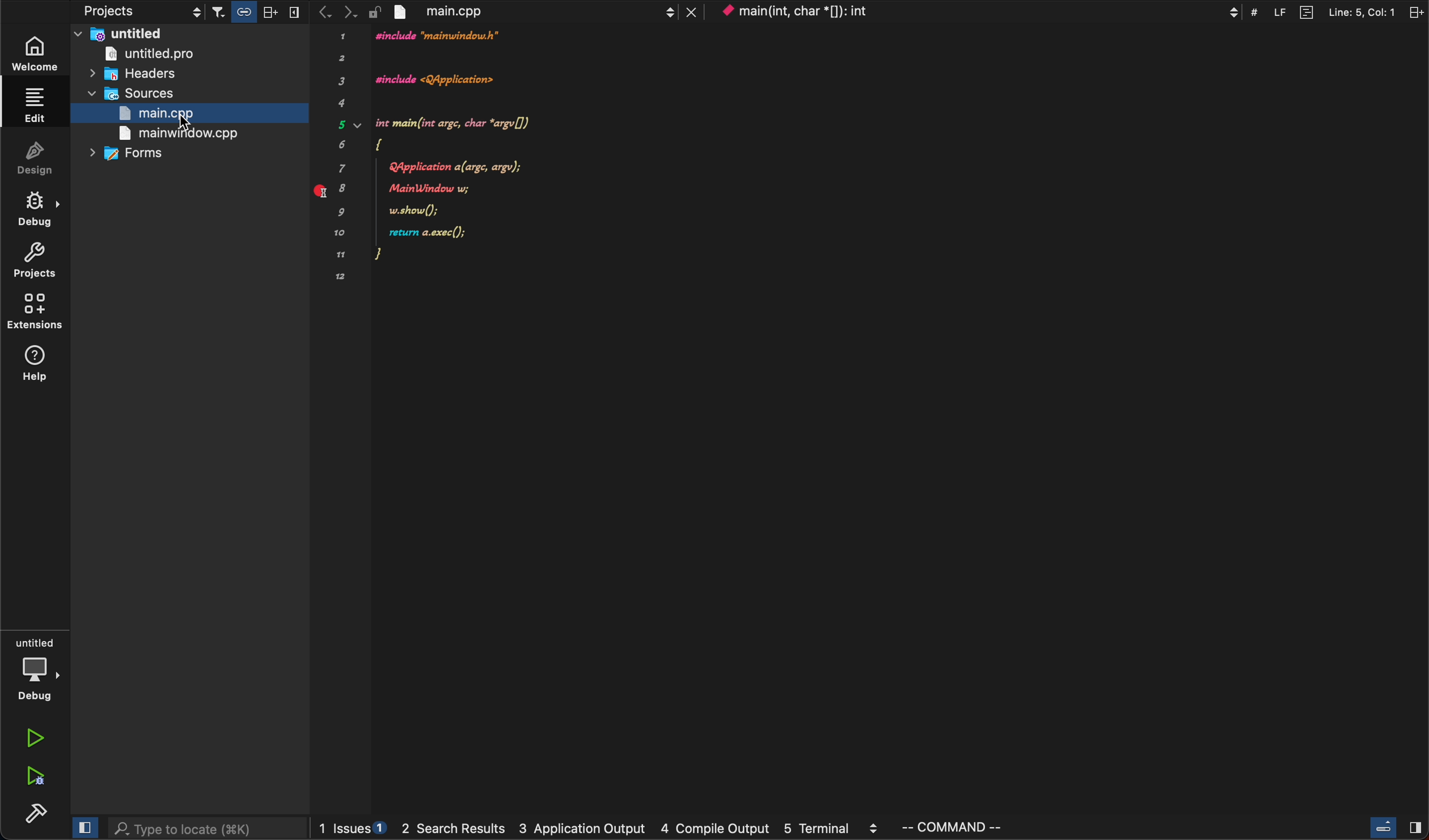  Describe the element at coordinates (83, 829) in the screenshot. I see `close slide bar` at that location.